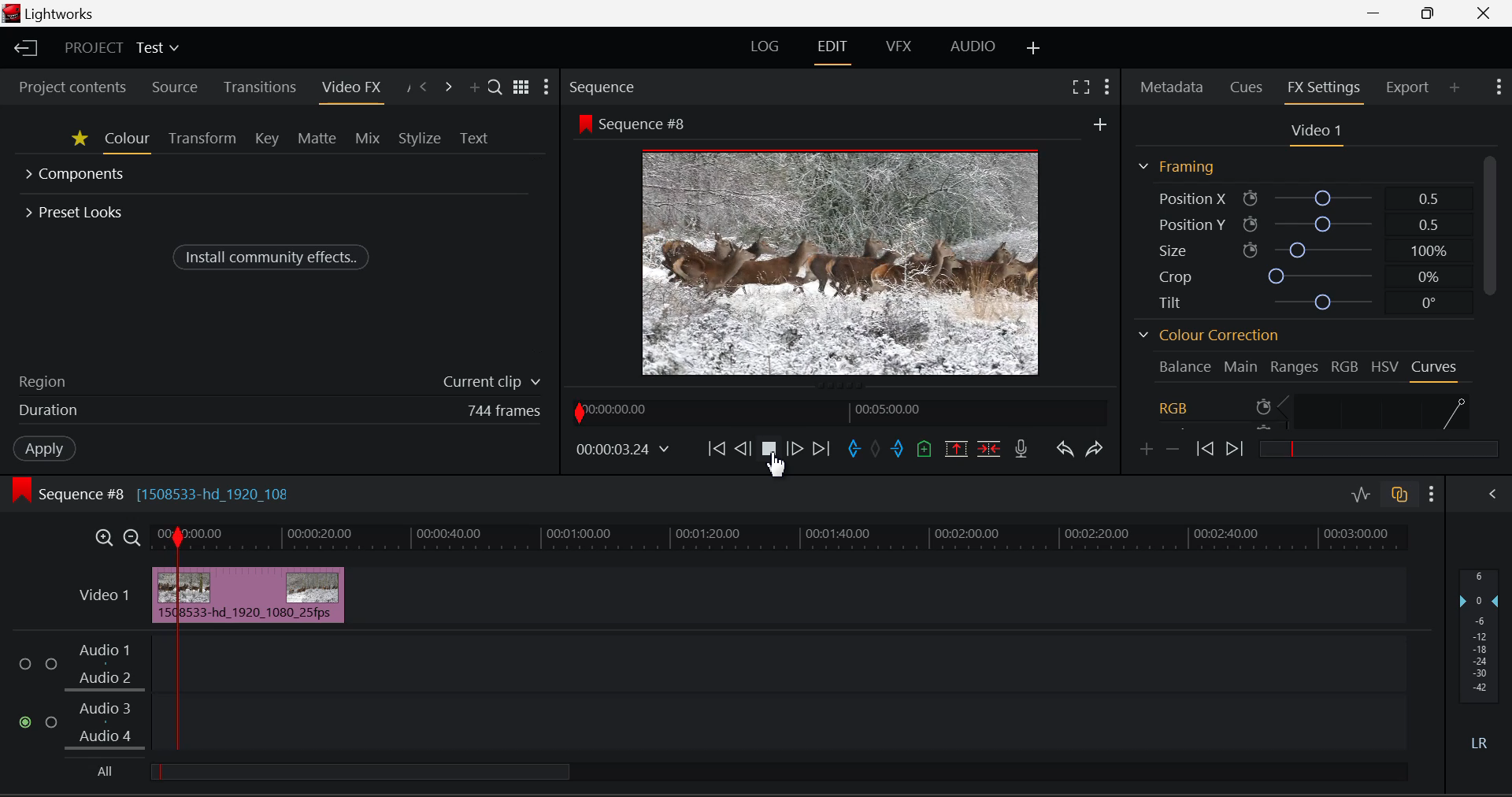 Image resolution: width=1512 pixels, height=797 pixels. What do you see at coordinates (922, 451) in the screenshot?
I see `Mark Cue` at bounding box center [922, 451].